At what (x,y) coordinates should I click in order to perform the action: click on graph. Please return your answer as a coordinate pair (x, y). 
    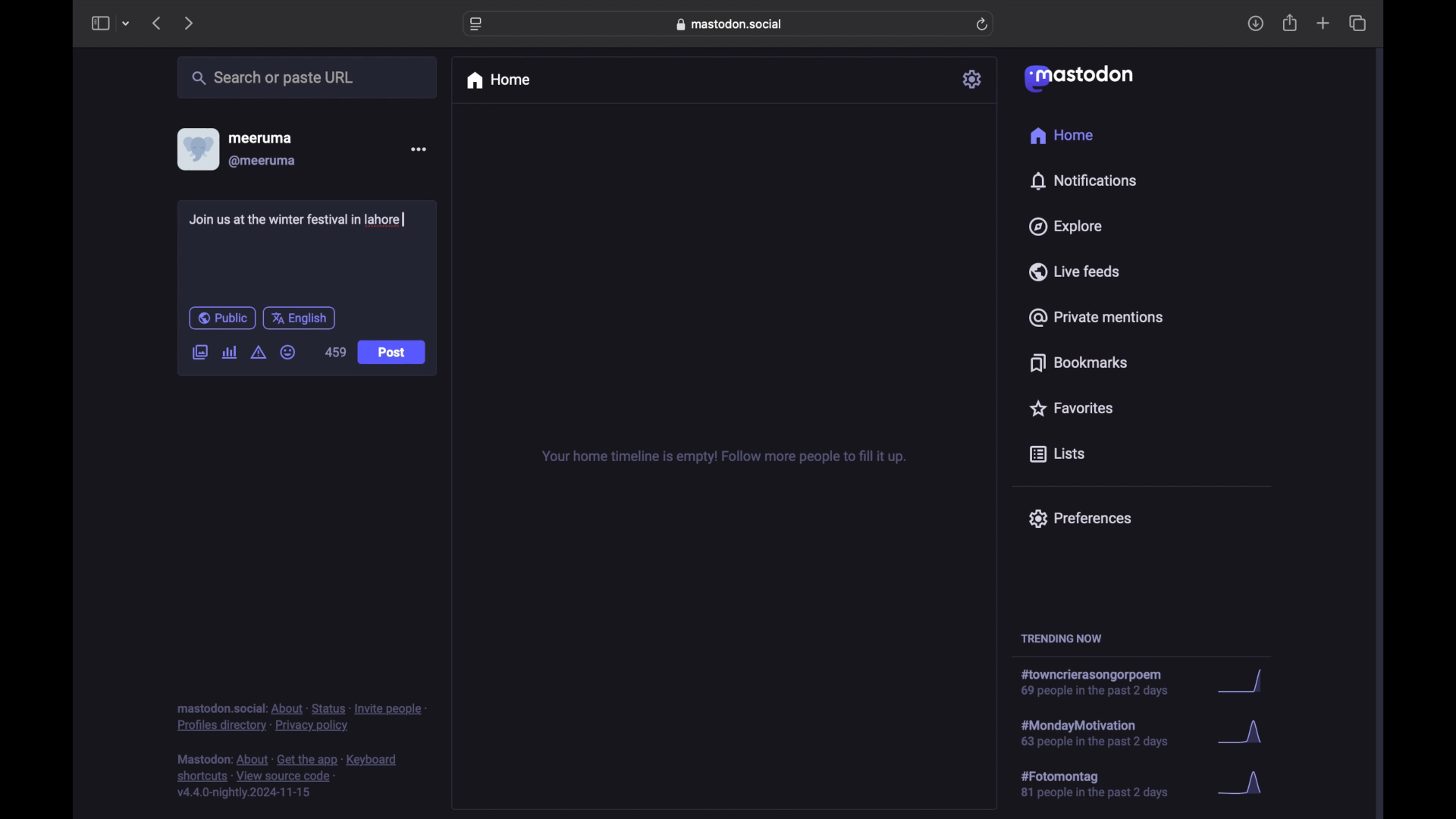
    Looking at the image, I should click on (1245, 784).